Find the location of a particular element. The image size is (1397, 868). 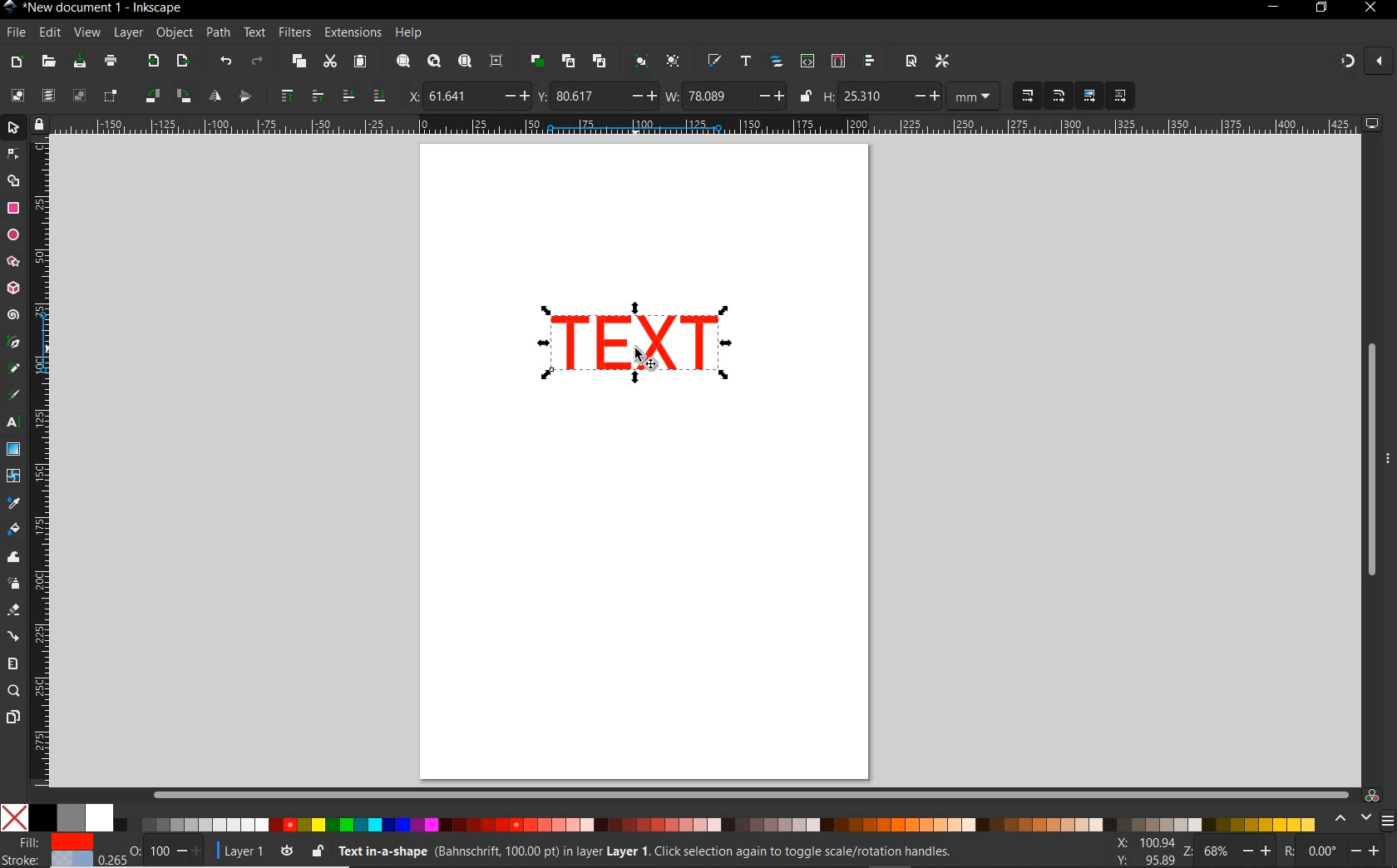

rotation is located at coordinates (1334, 850).